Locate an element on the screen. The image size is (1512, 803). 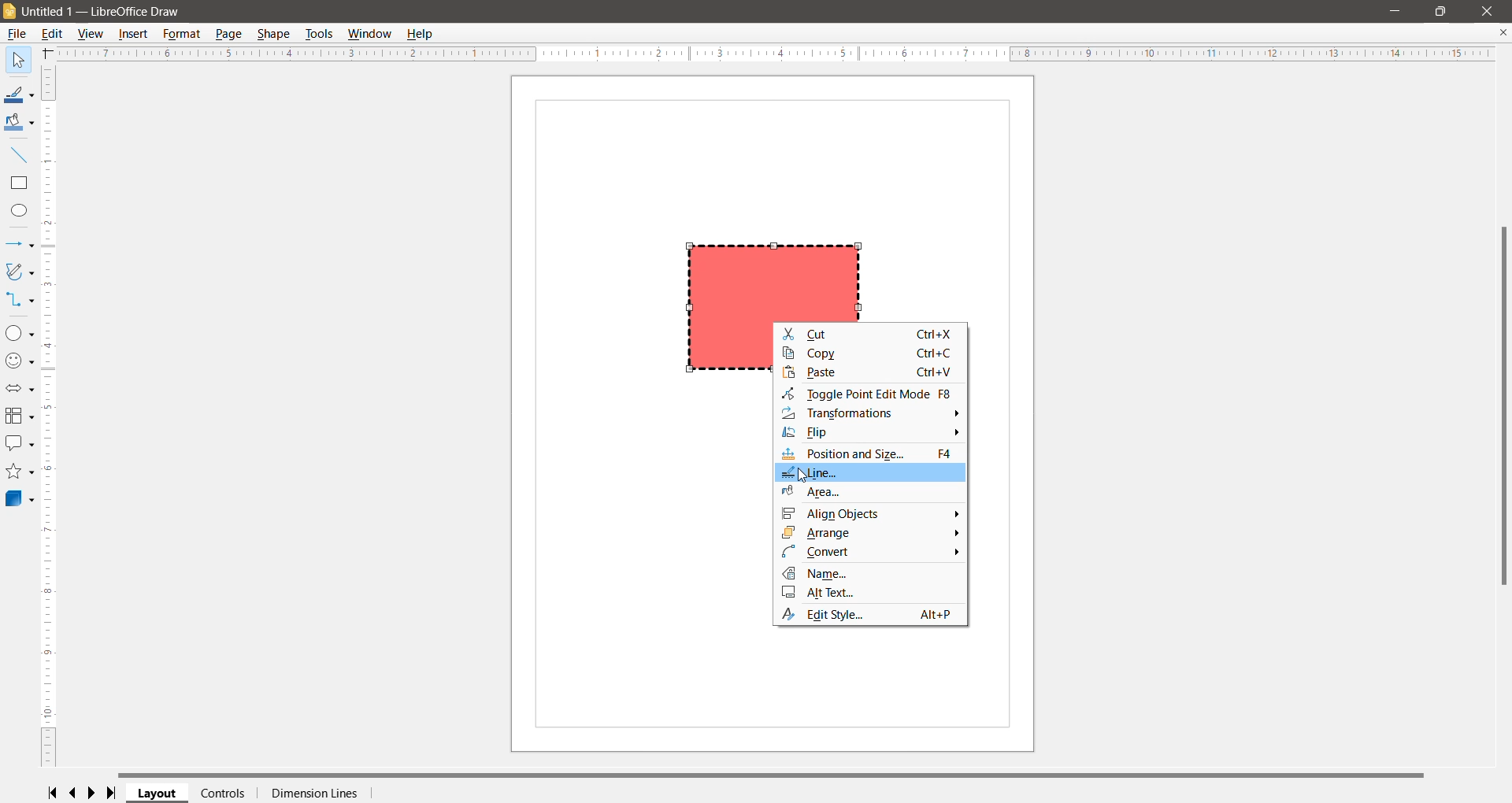
Horizontal Scroll Bar is located at coordinates (773, 775).